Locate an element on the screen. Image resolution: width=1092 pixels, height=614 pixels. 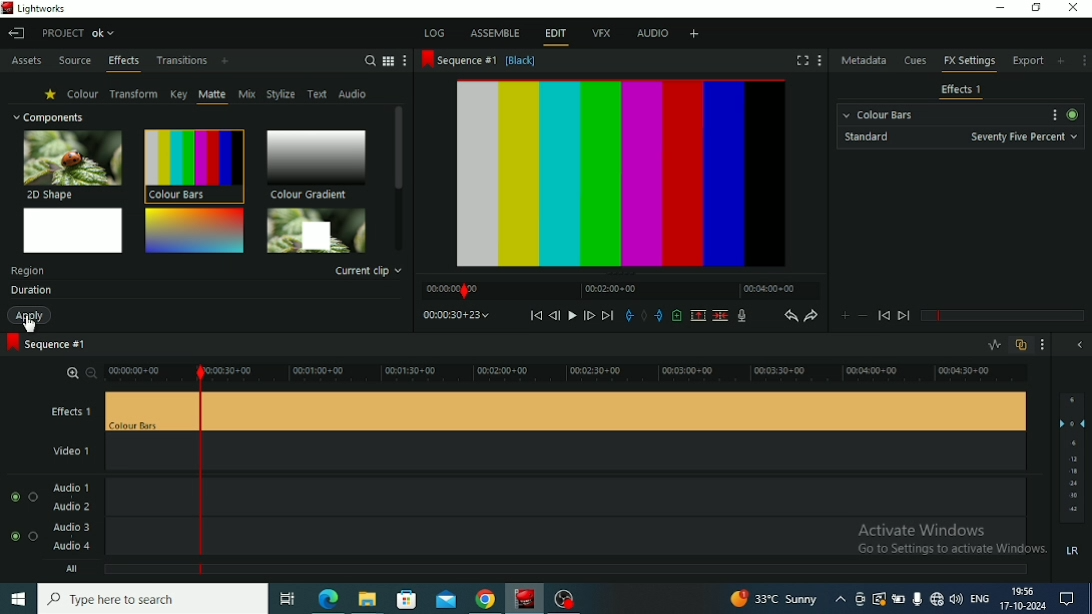
All is located at coordinates (111, 571).